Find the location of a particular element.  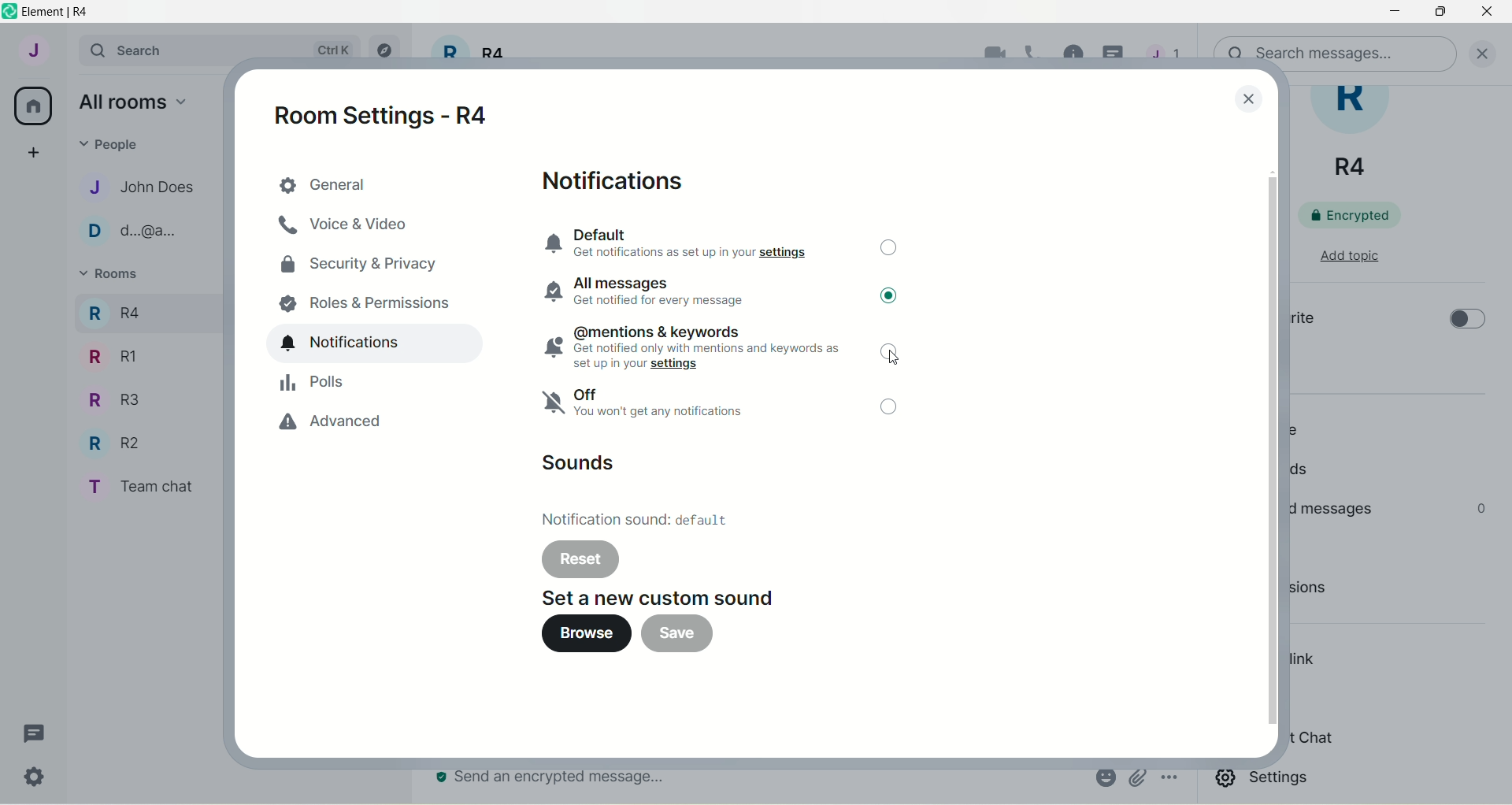

J John Does is located at coordinates (127, 187).